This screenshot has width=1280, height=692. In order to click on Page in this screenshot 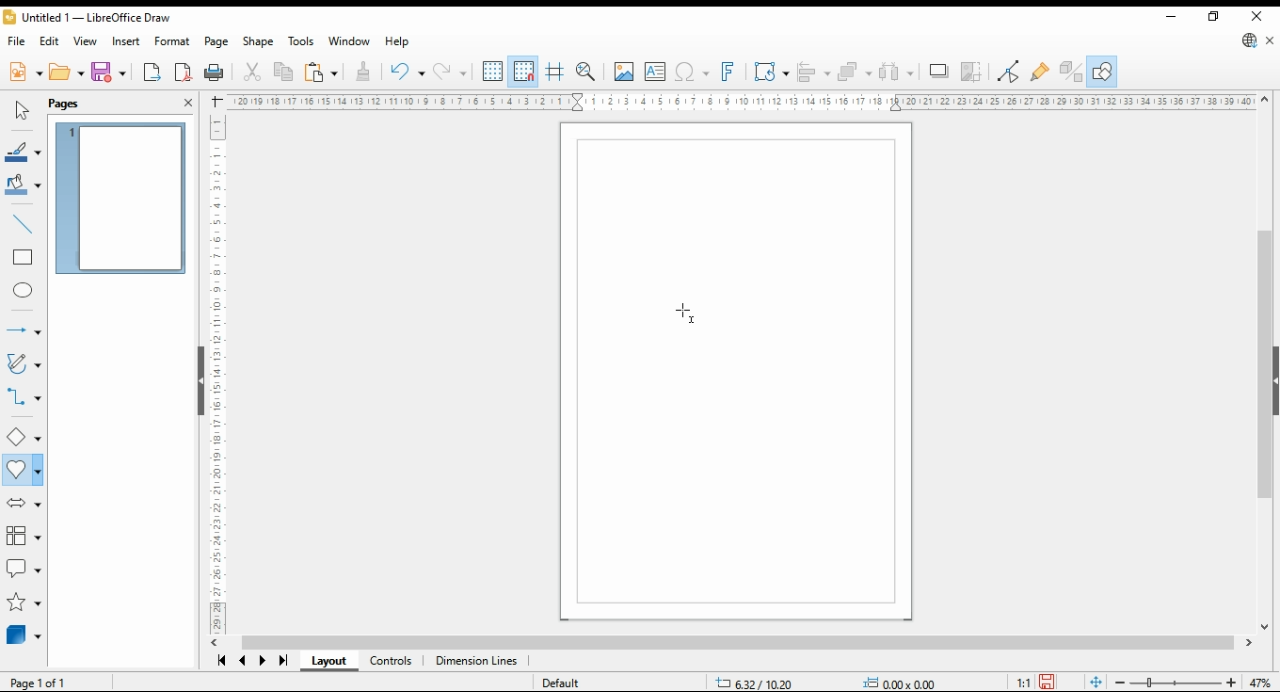, I will do `click(737, 372)`.